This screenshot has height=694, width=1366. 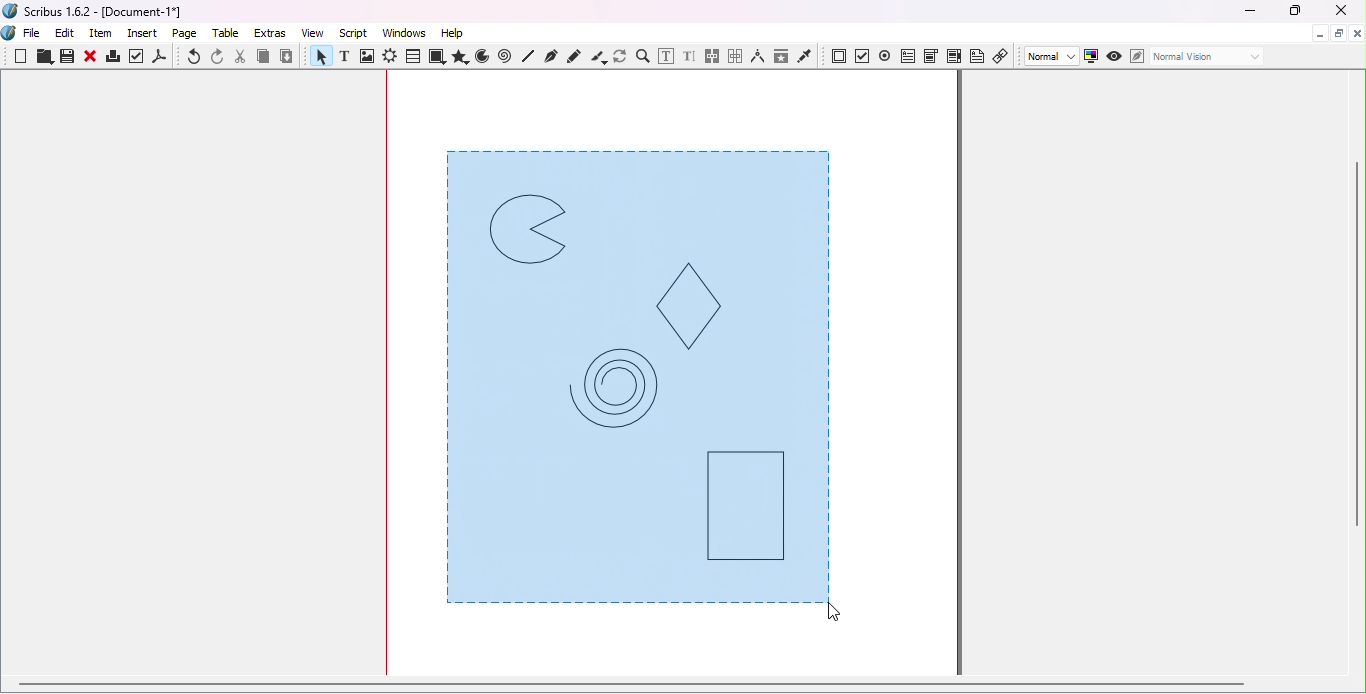 I want to click on Help, so click(x=452, y=33).